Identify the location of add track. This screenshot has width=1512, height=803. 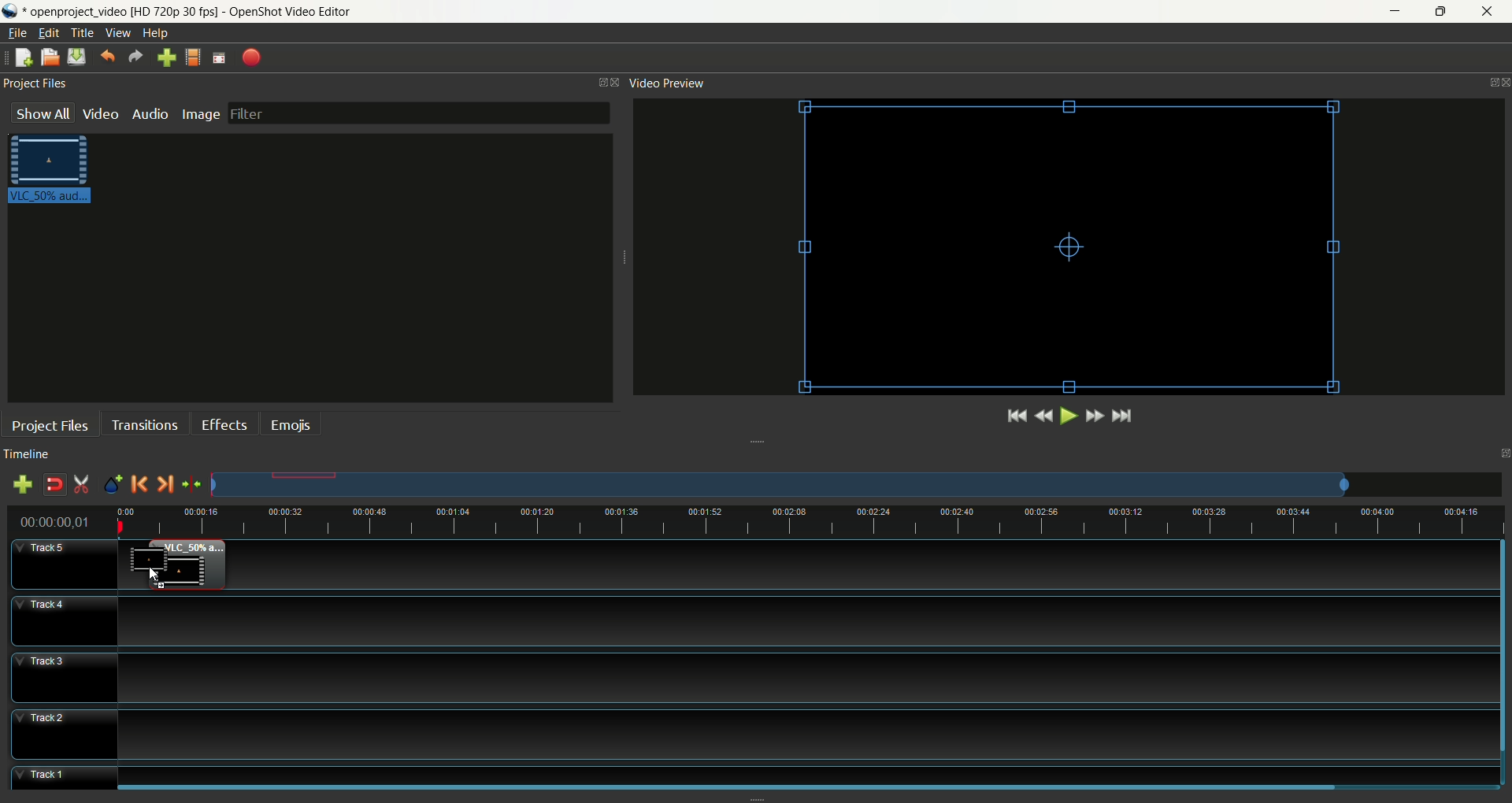
(23, 485).